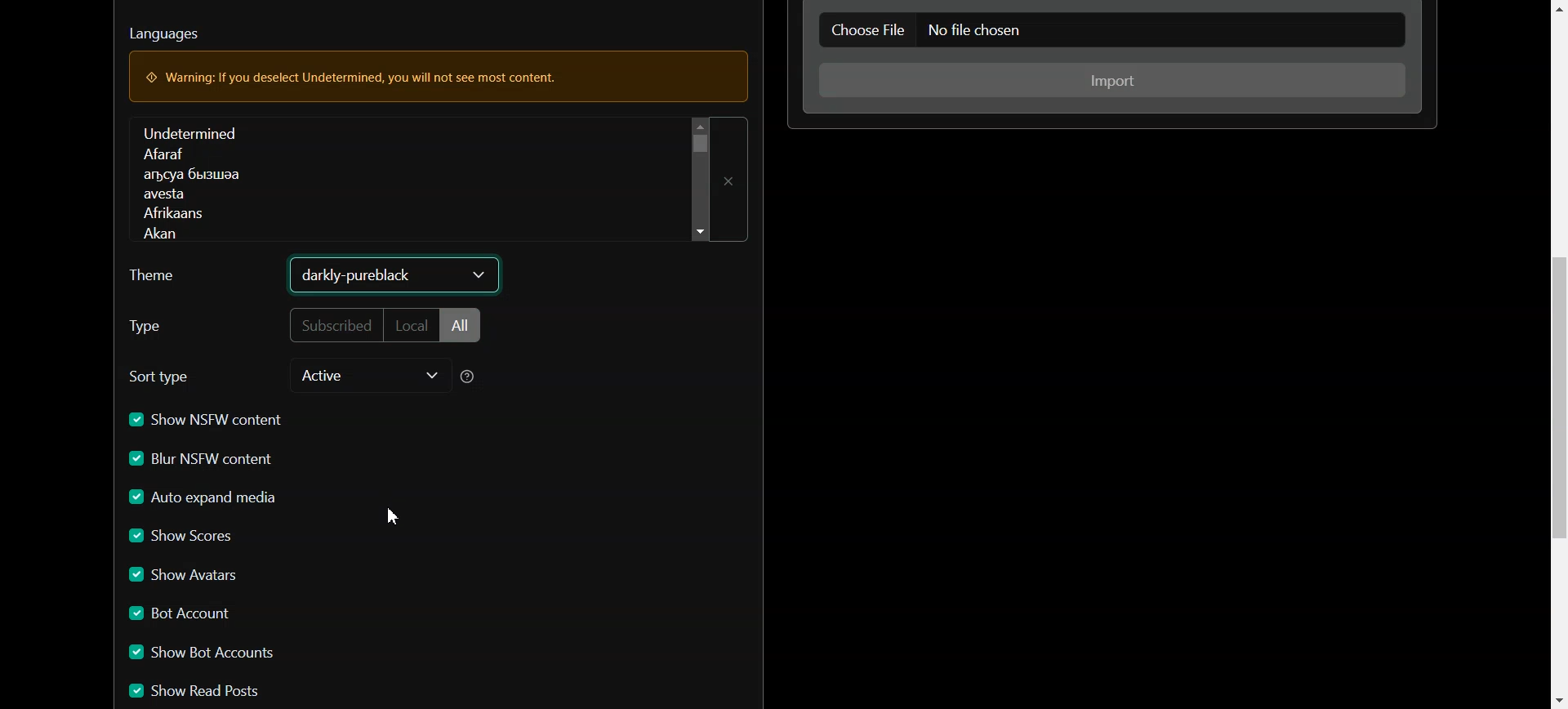 The width and height of the screenshot is (1568, 709). Describe the element at coordinates (188, 577) in the screenshot. I see `Show Avatars` at that location.